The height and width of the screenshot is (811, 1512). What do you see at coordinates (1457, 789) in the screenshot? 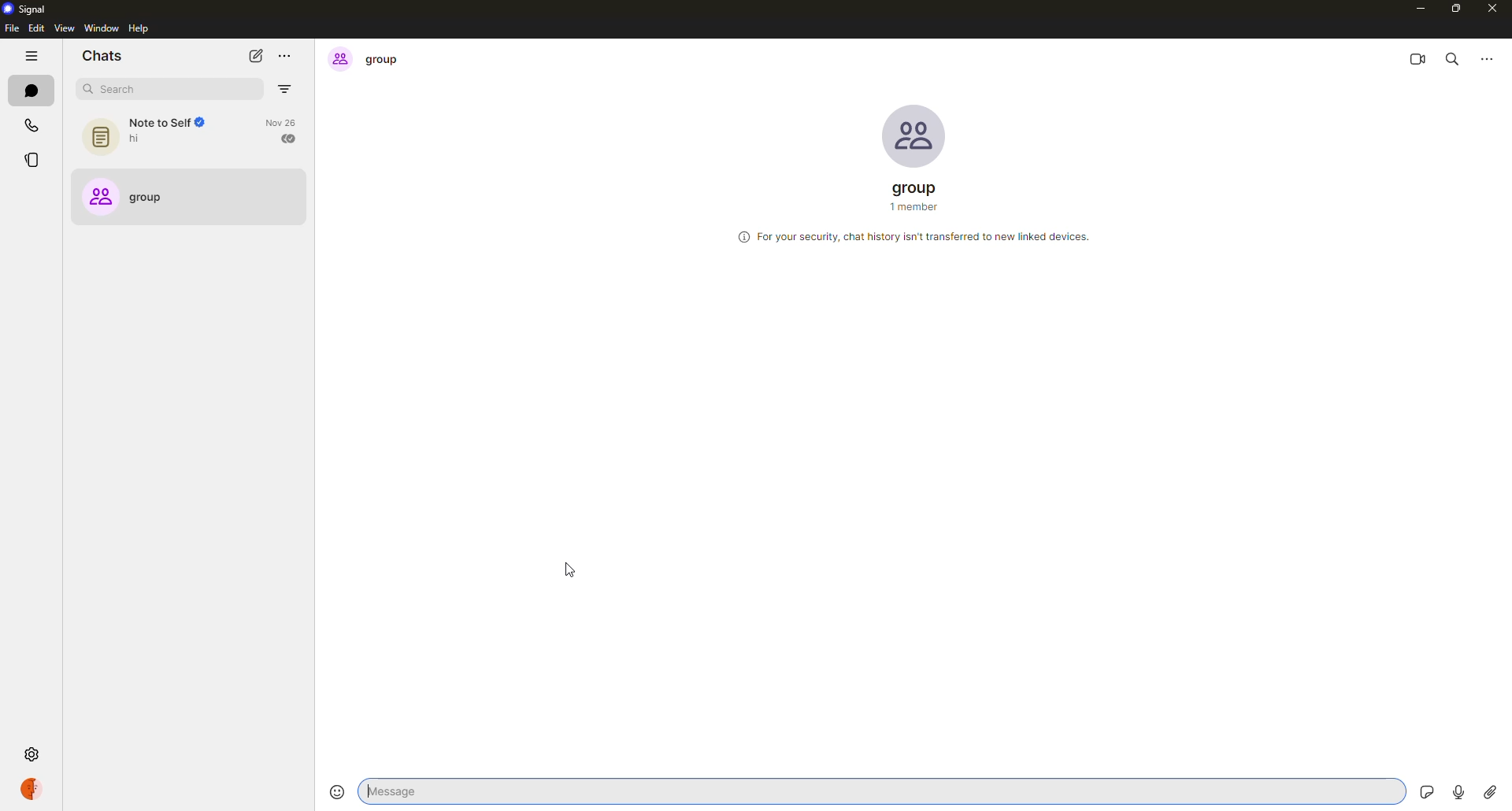
I see `record` at bounding box center [1457, 789].